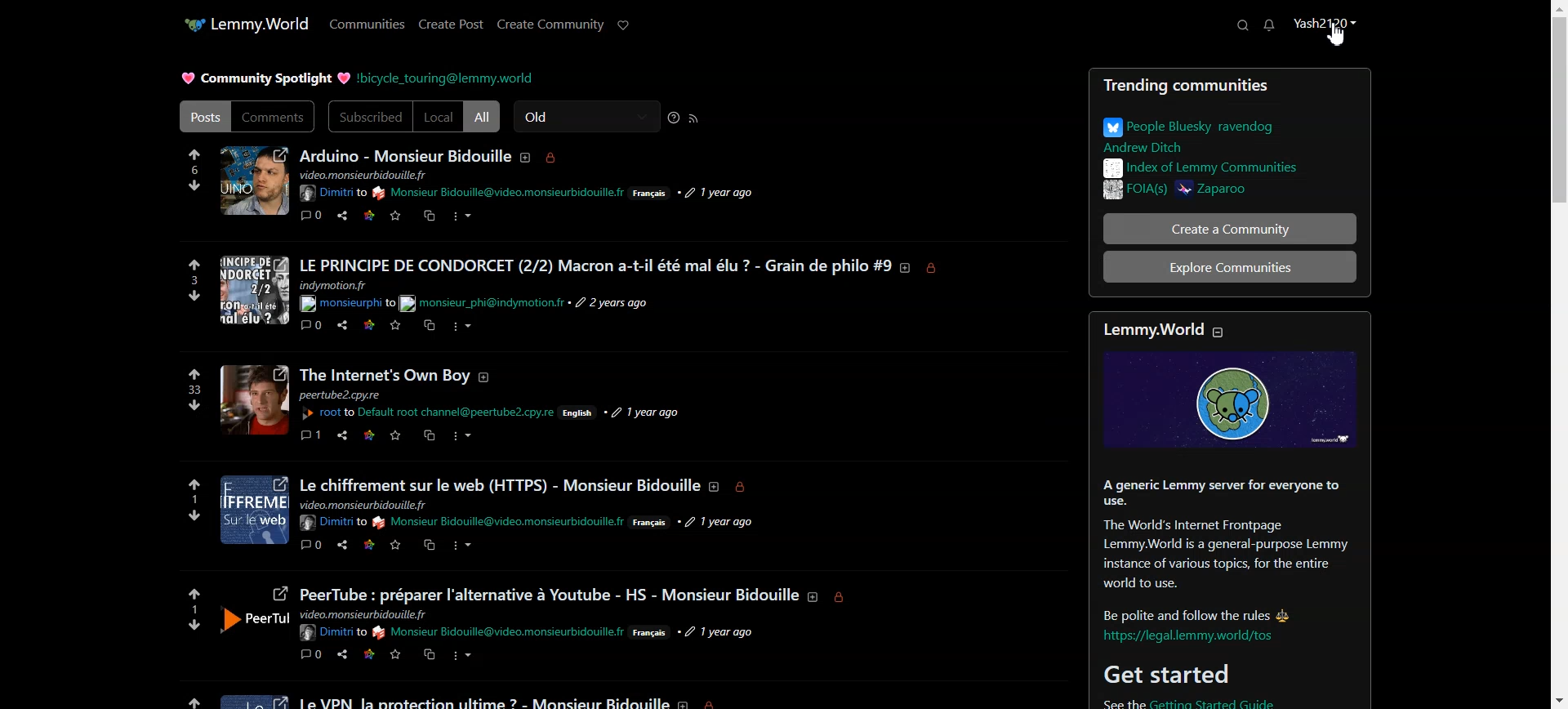 The height and width of the screenshot is (709, 1568). I want to click on share, so click(343, 436).